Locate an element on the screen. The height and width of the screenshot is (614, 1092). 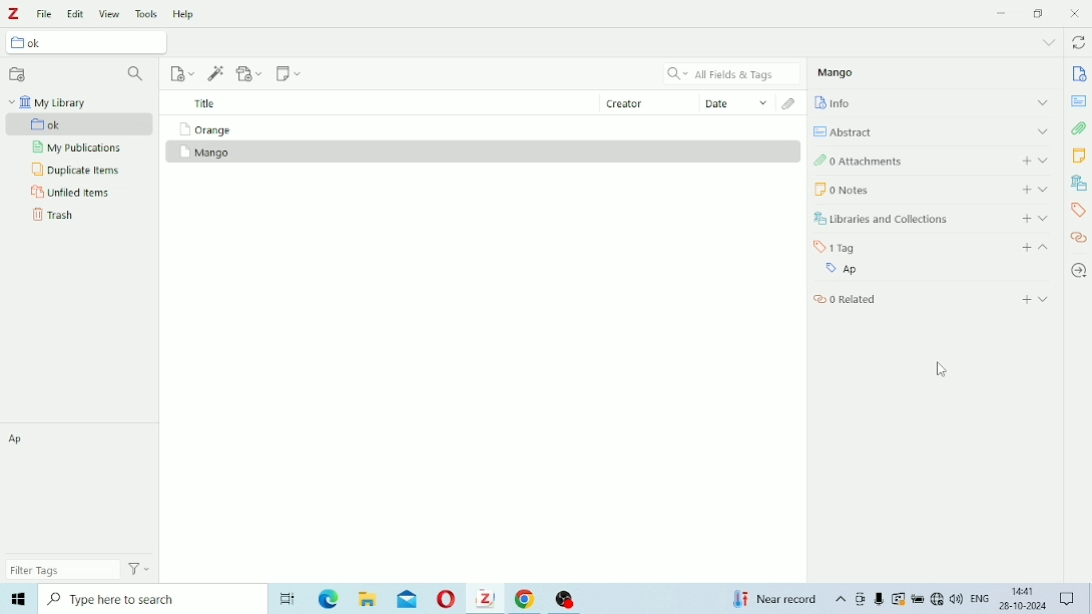
Internet is located at coordinates (937, 600).